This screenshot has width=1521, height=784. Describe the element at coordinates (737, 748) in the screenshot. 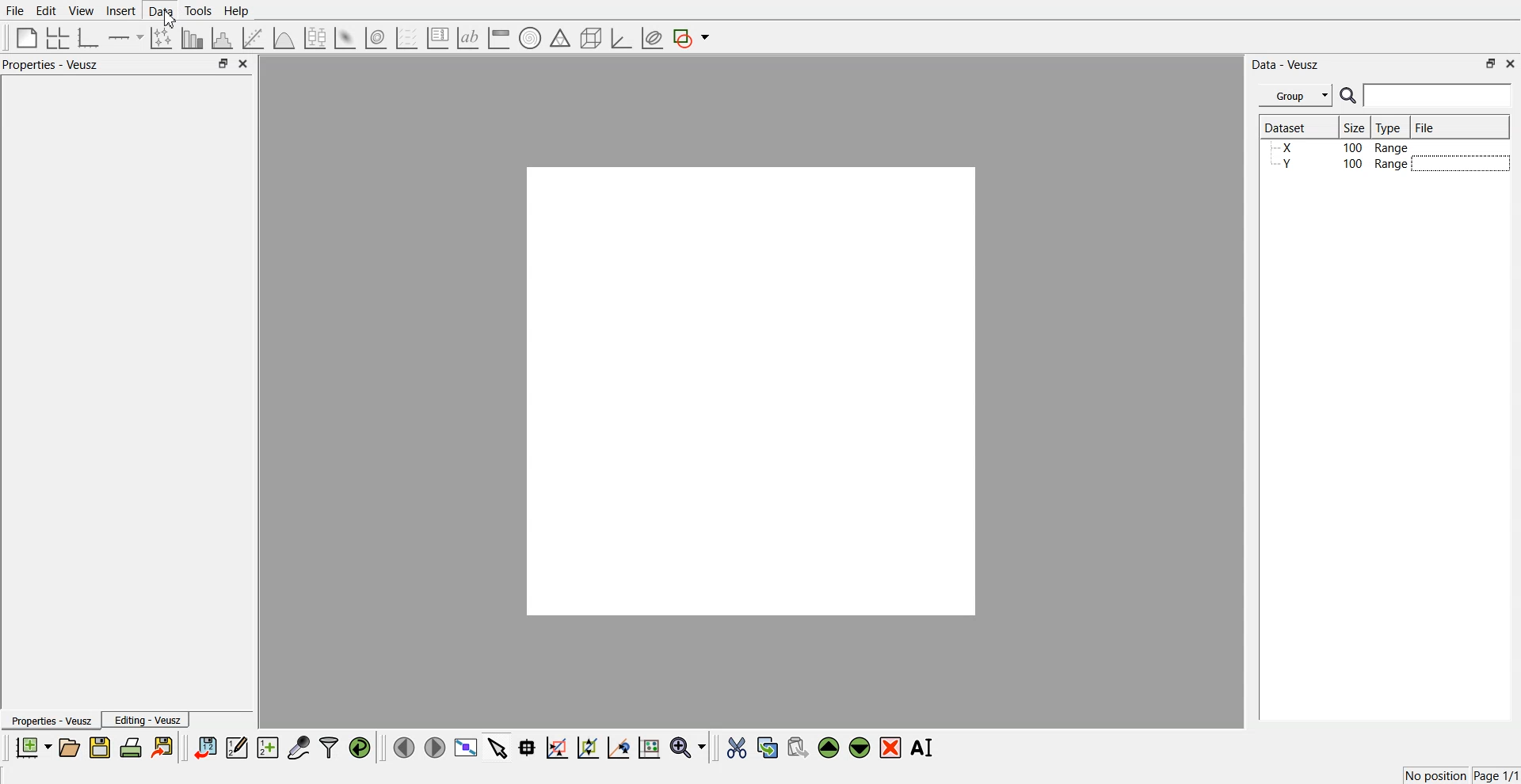

I see `Cut the selected widget` at that location.